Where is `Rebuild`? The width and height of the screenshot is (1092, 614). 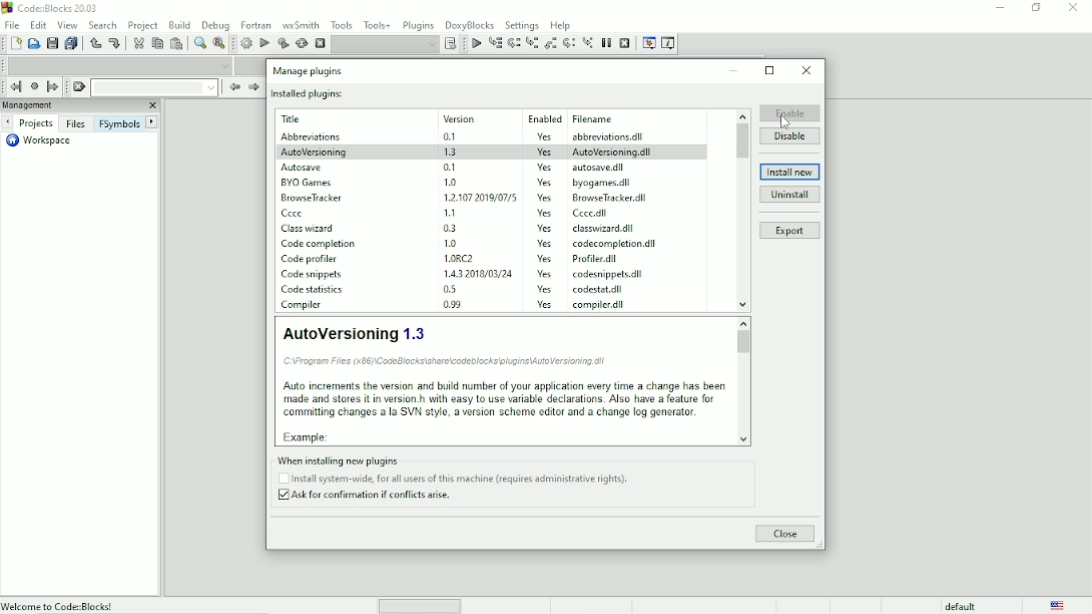
Rebuild is located at coordinates (301, 44).